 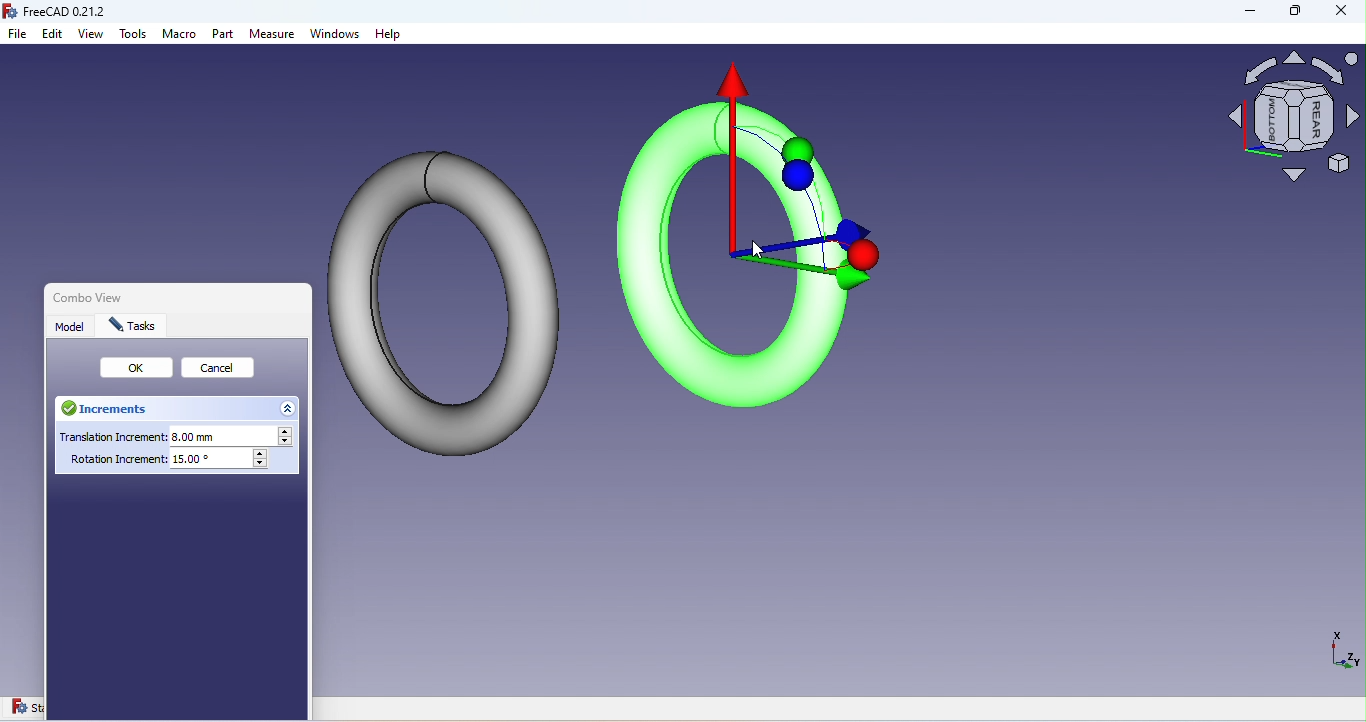 What do you see at coordinates (262, 464) in the screenshot?
I see `Decrease rotation increment` at bounding box center [262, 464].